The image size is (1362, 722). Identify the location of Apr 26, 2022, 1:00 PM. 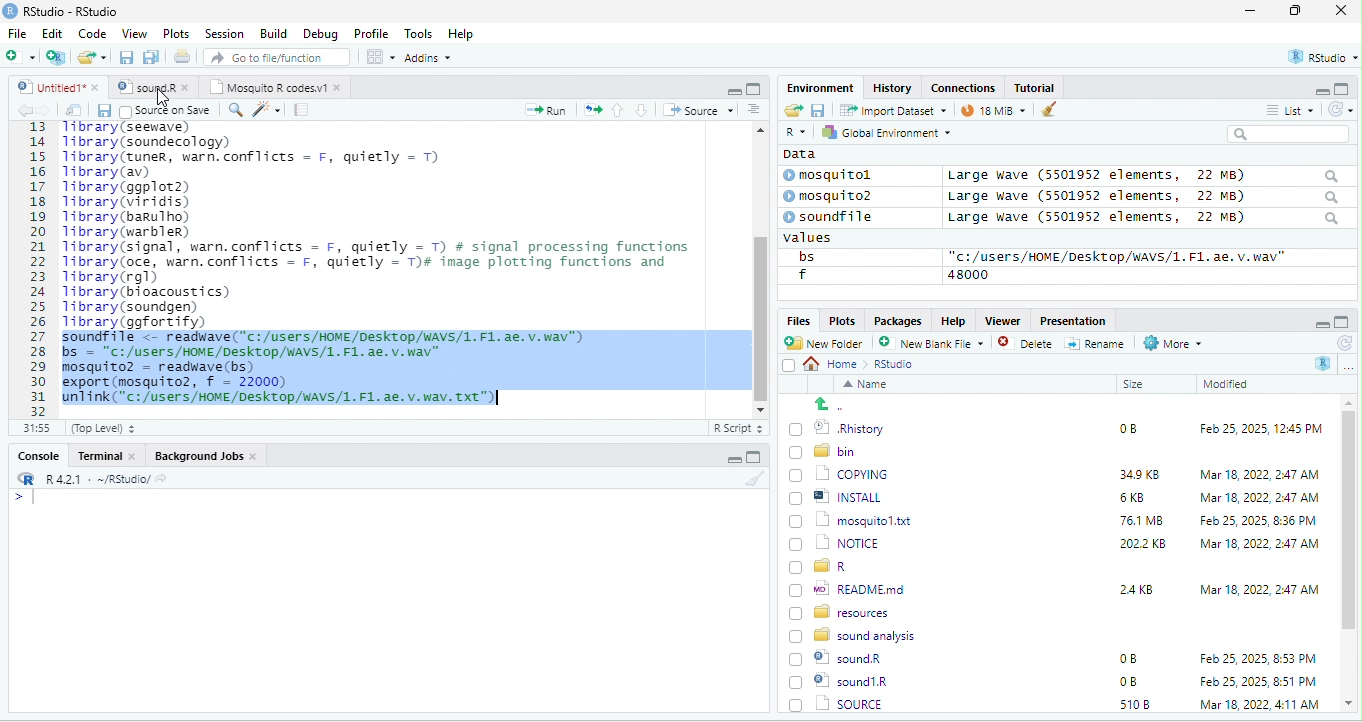
(1260, 706).